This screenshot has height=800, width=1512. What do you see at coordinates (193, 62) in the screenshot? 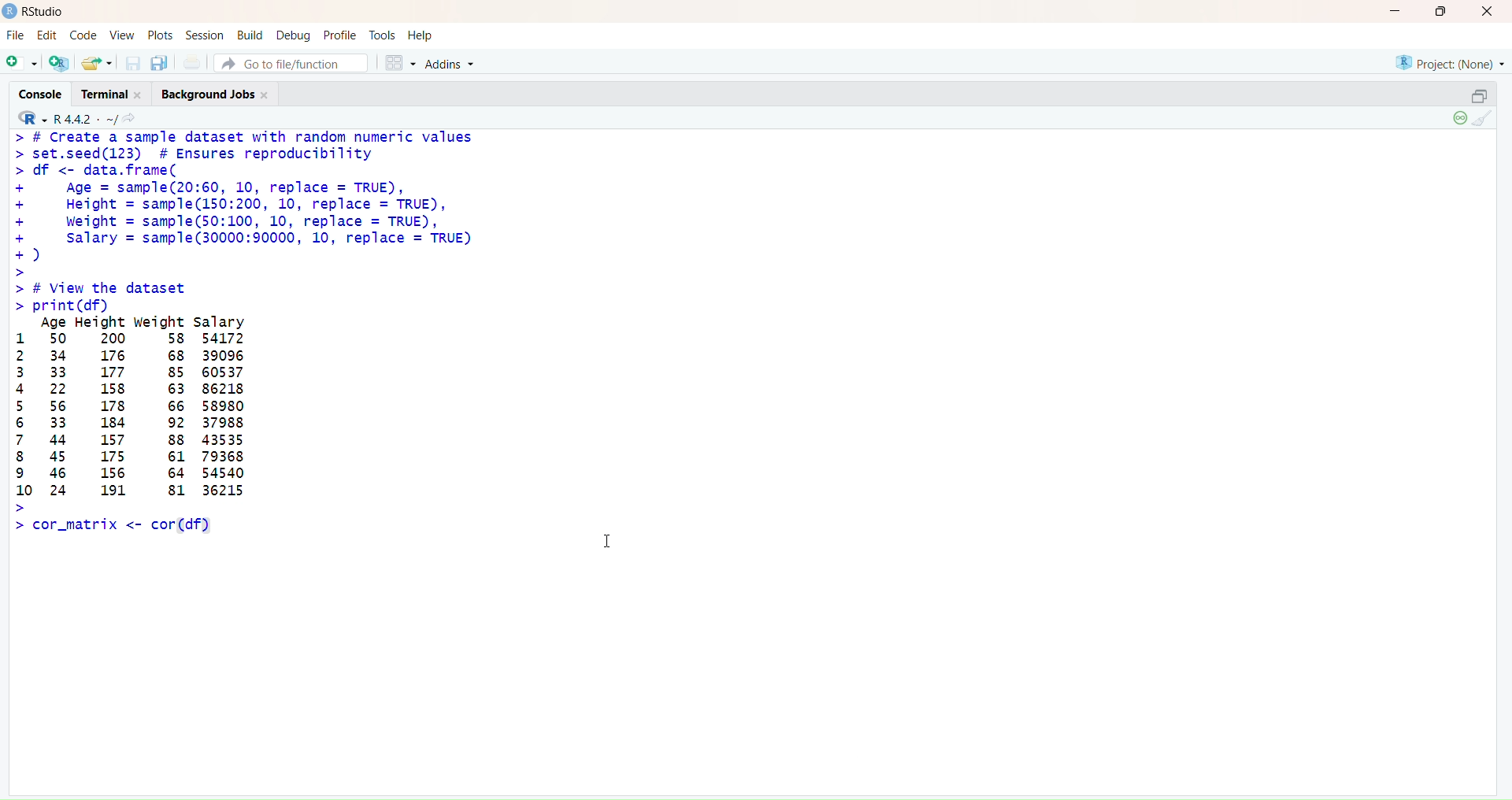
I see `Print the current file` at bounding box center [193, 62].